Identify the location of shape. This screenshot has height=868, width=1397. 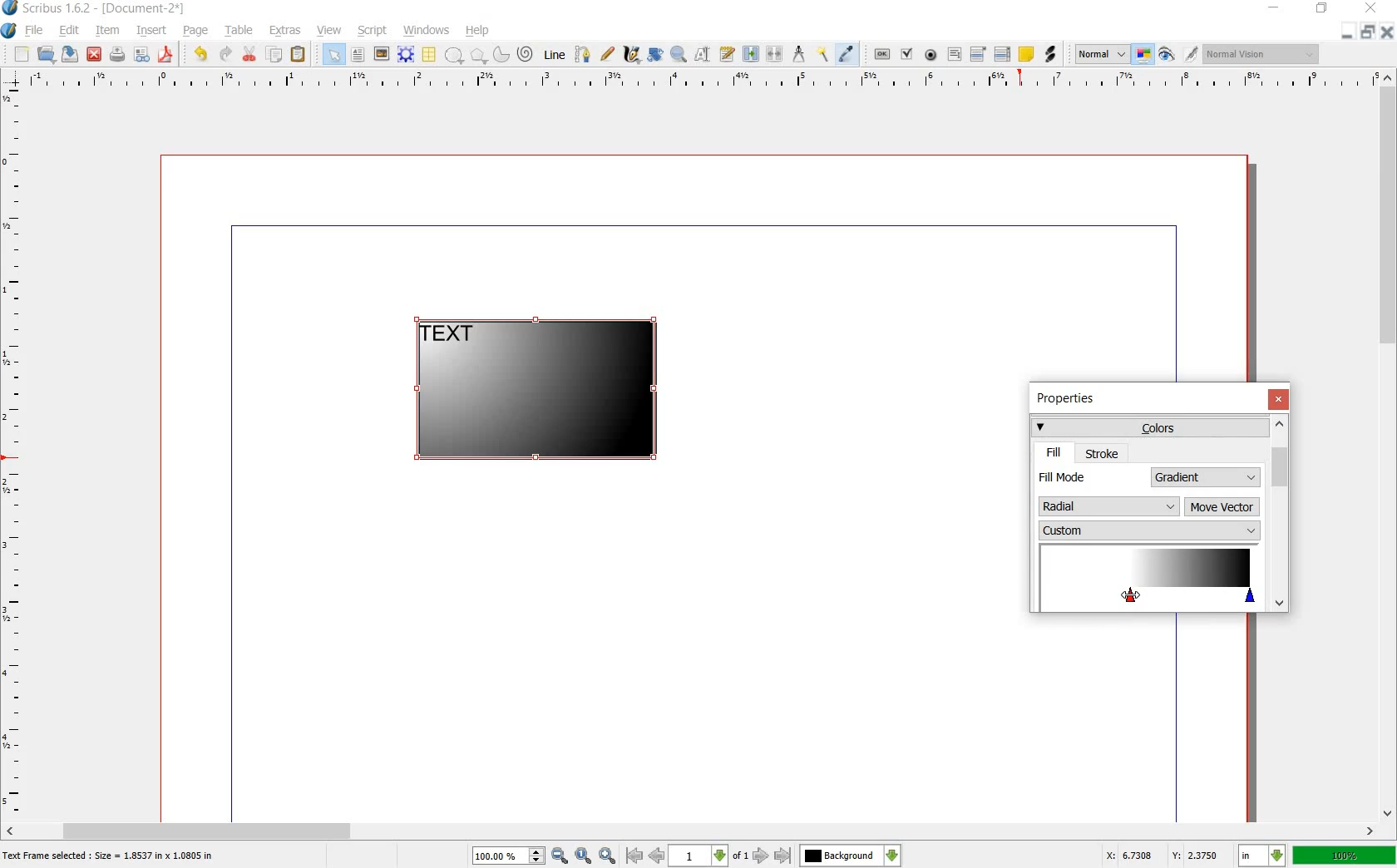
(454, 56).